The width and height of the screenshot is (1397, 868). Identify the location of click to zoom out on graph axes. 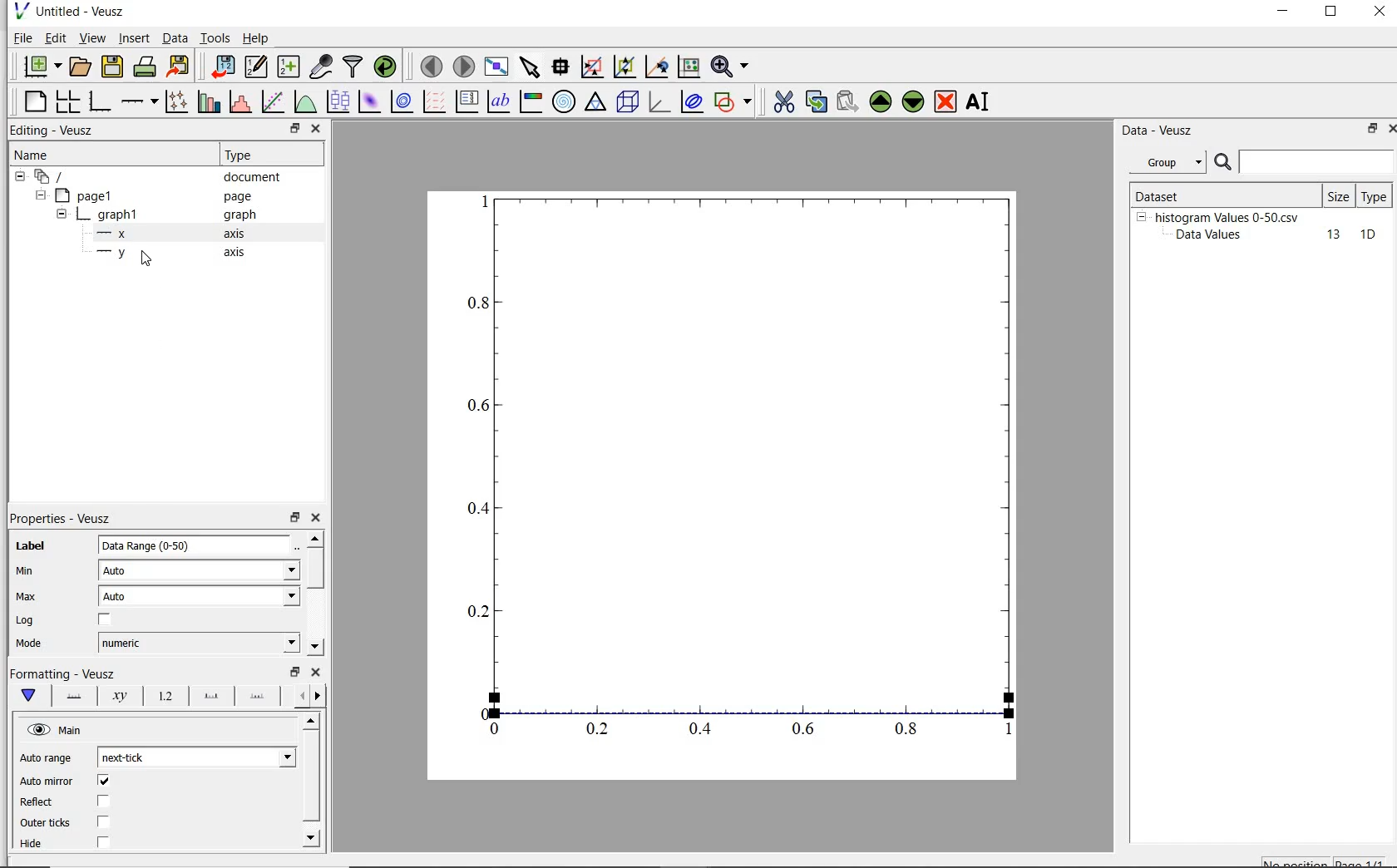
(656, 67).